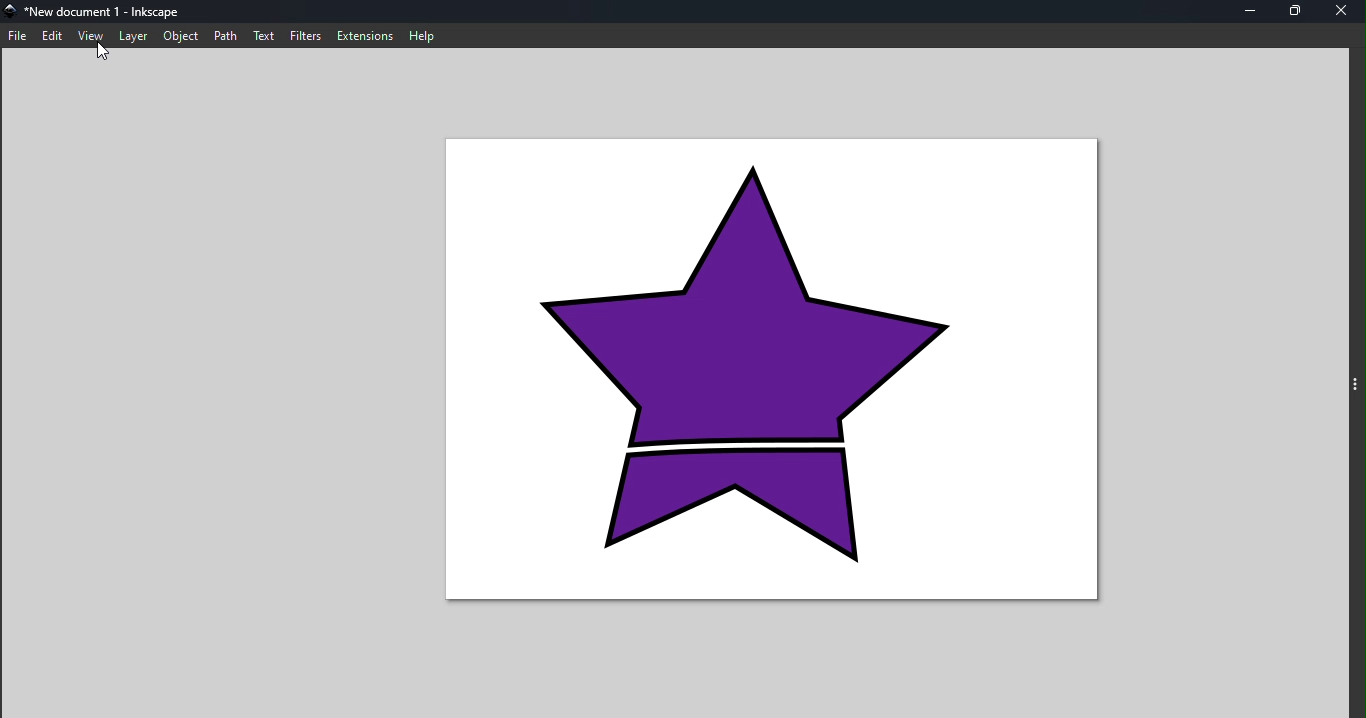  Describe the element at coordinates (778, 367) in the screenshot. I see `Canvas` at that location.